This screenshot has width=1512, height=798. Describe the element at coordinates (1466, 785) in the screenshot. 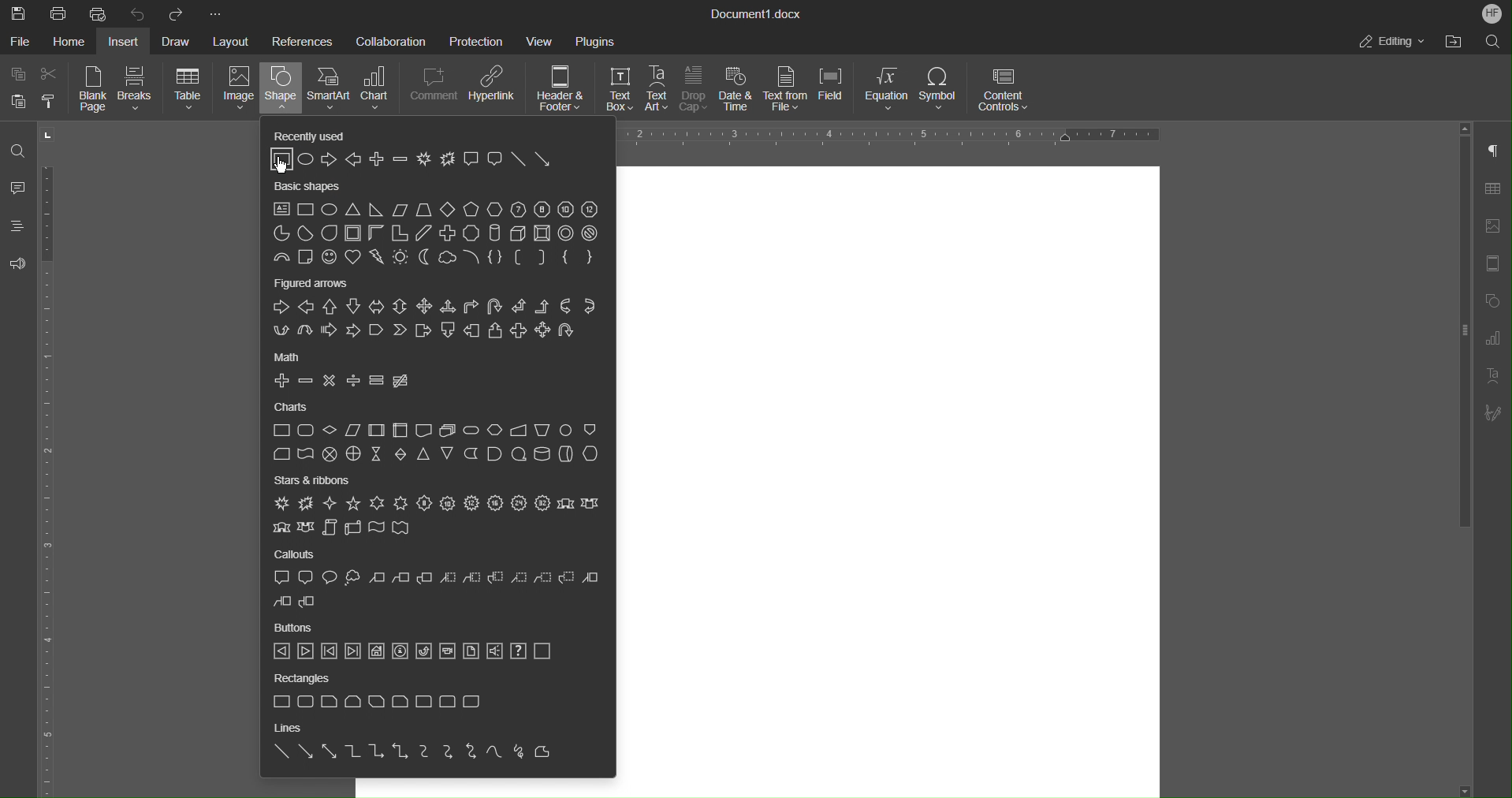

I see `Scroll down` at that location.